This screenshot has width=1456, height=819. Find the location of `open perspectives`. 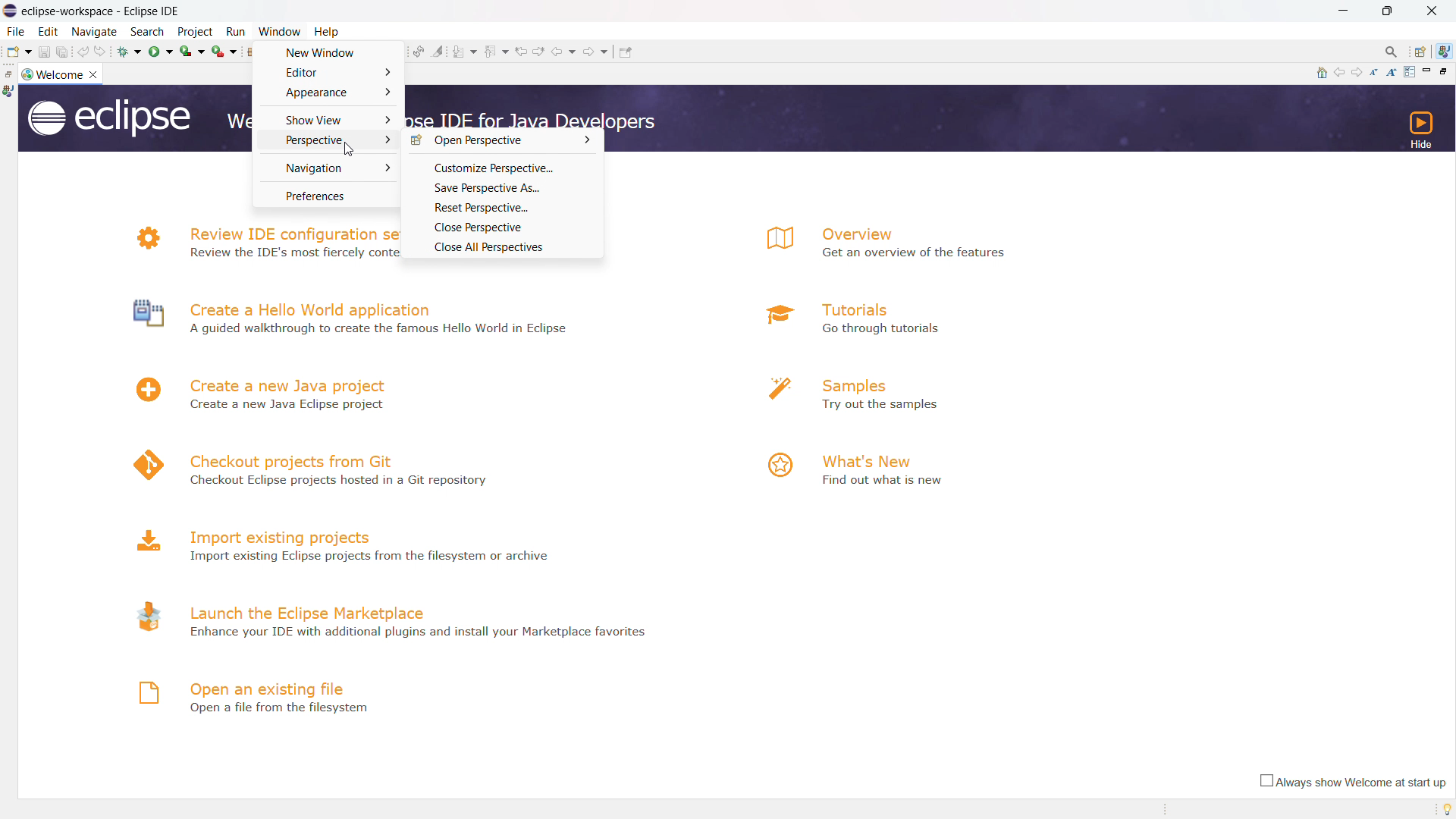

open perspectives is located at coordinates (1420, 52).